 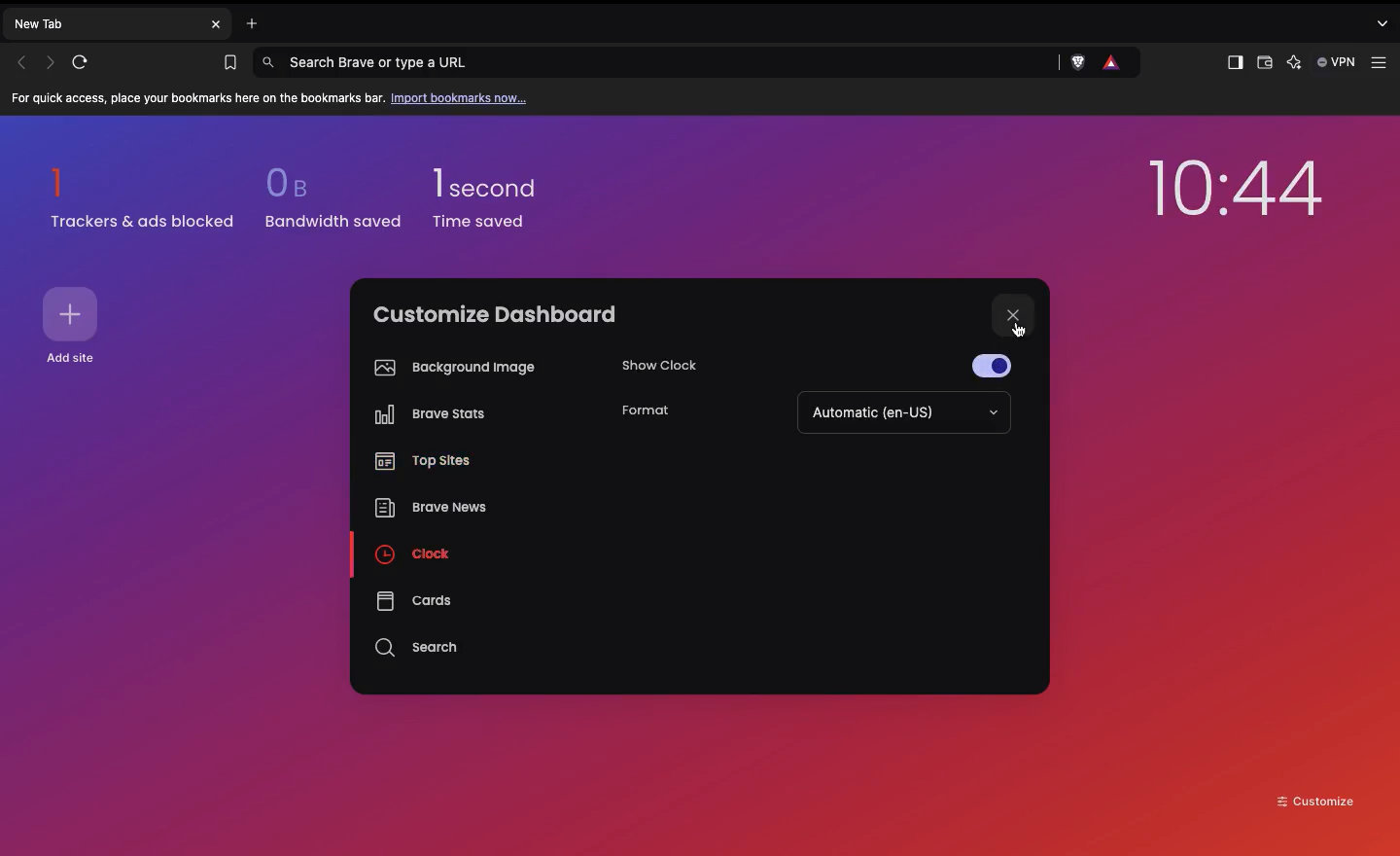 I want to click on Format, so click(x=646, y=412).